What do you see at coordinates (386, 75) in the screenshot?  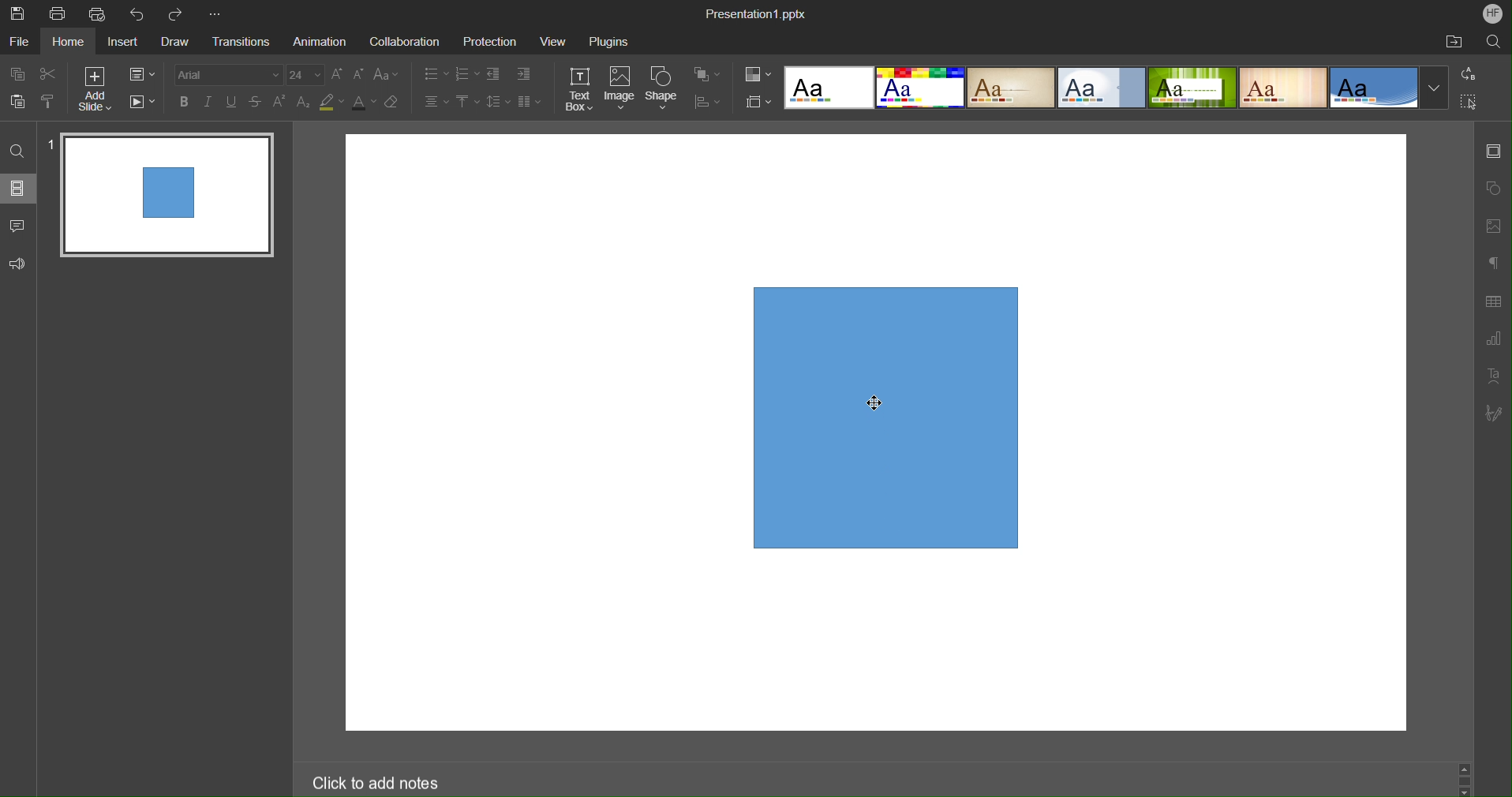 I see `Font Case Settings` at bounding box center [386, 75].